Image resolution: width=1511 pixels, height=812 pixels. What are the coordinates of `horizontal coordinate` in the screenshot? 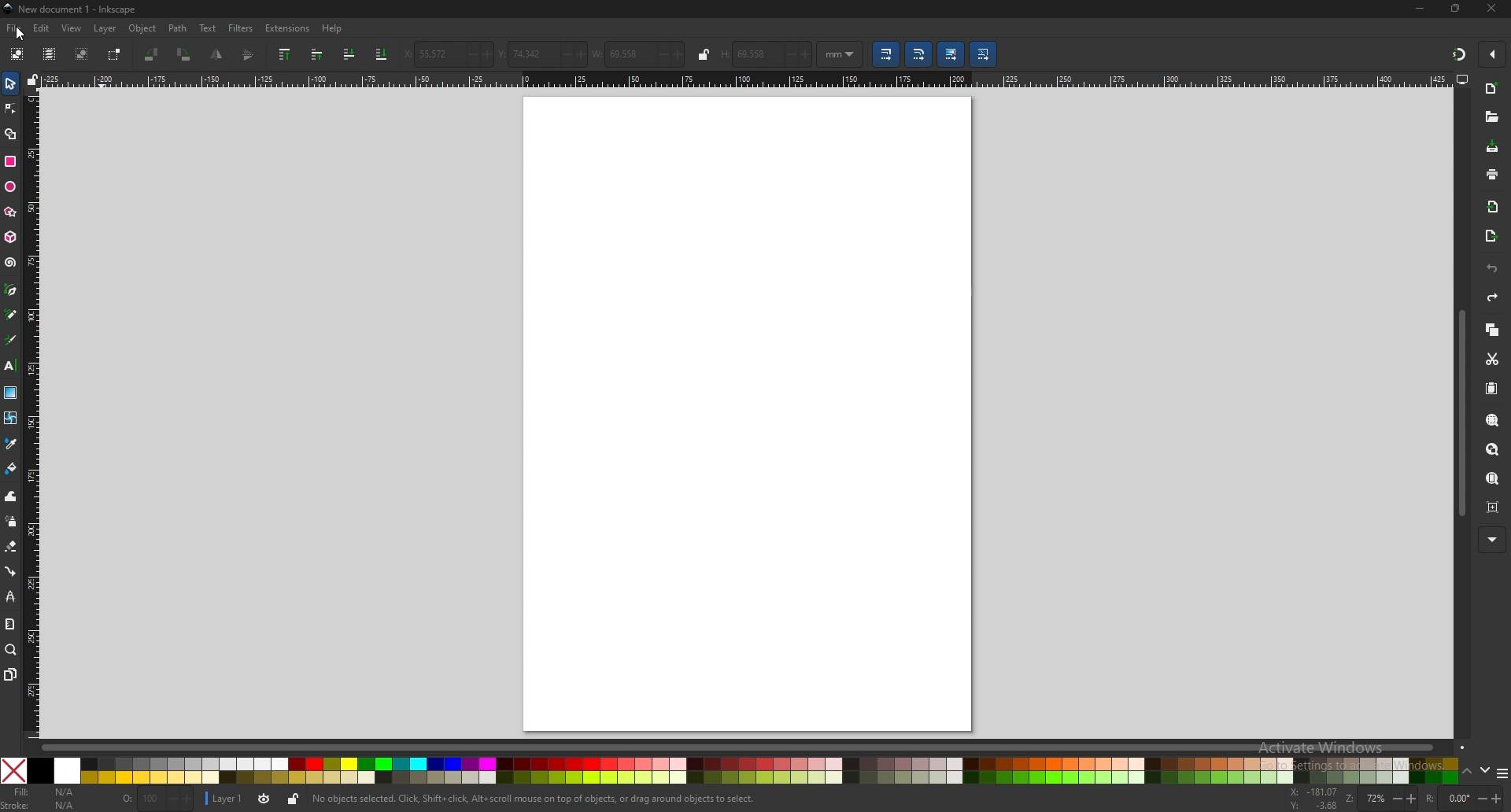 It's located at (425, 55).